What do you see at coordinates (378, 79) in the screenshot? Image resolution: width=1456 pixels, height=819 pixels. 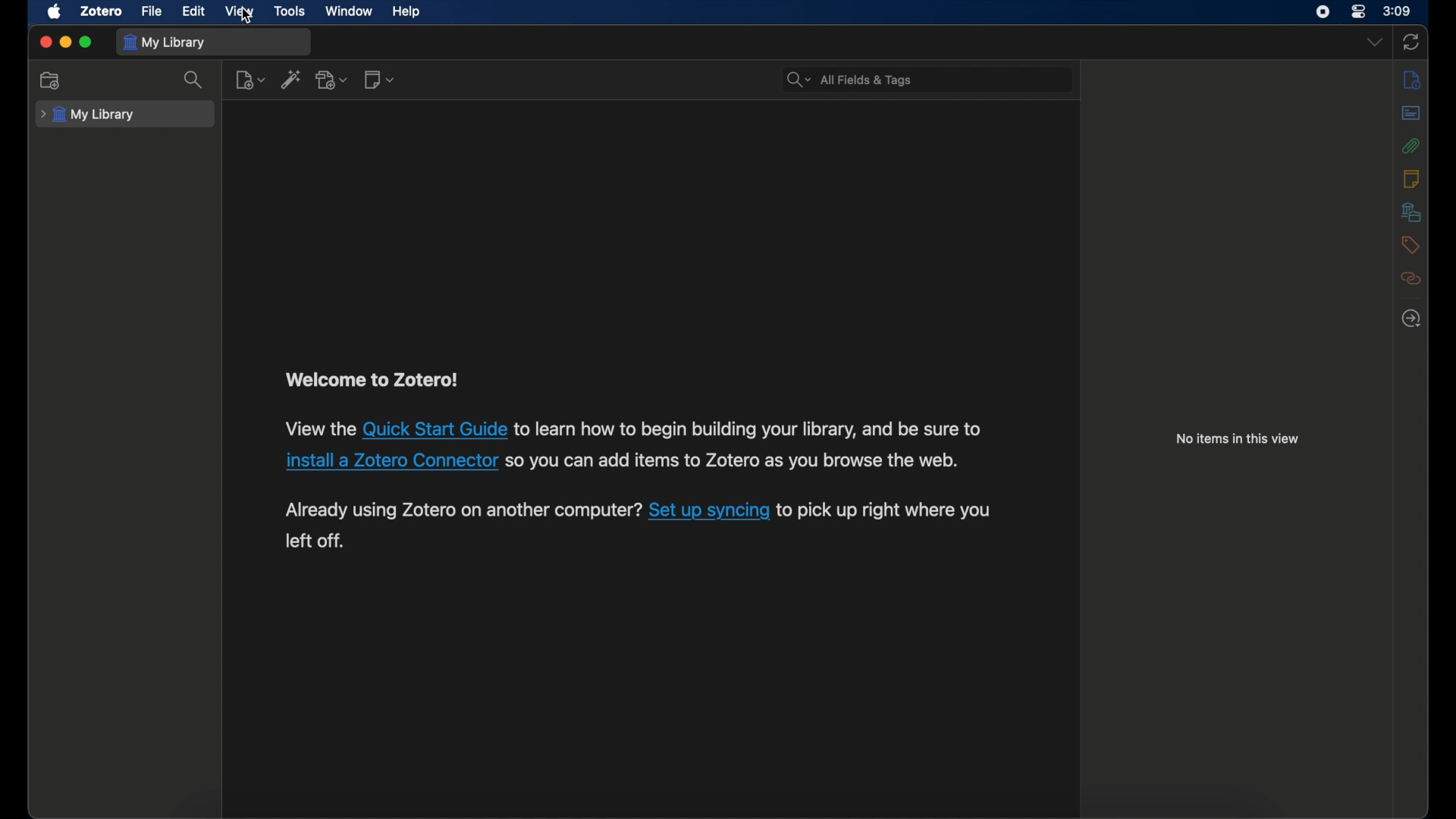 I see `new note` at bounding box center [378, 79].